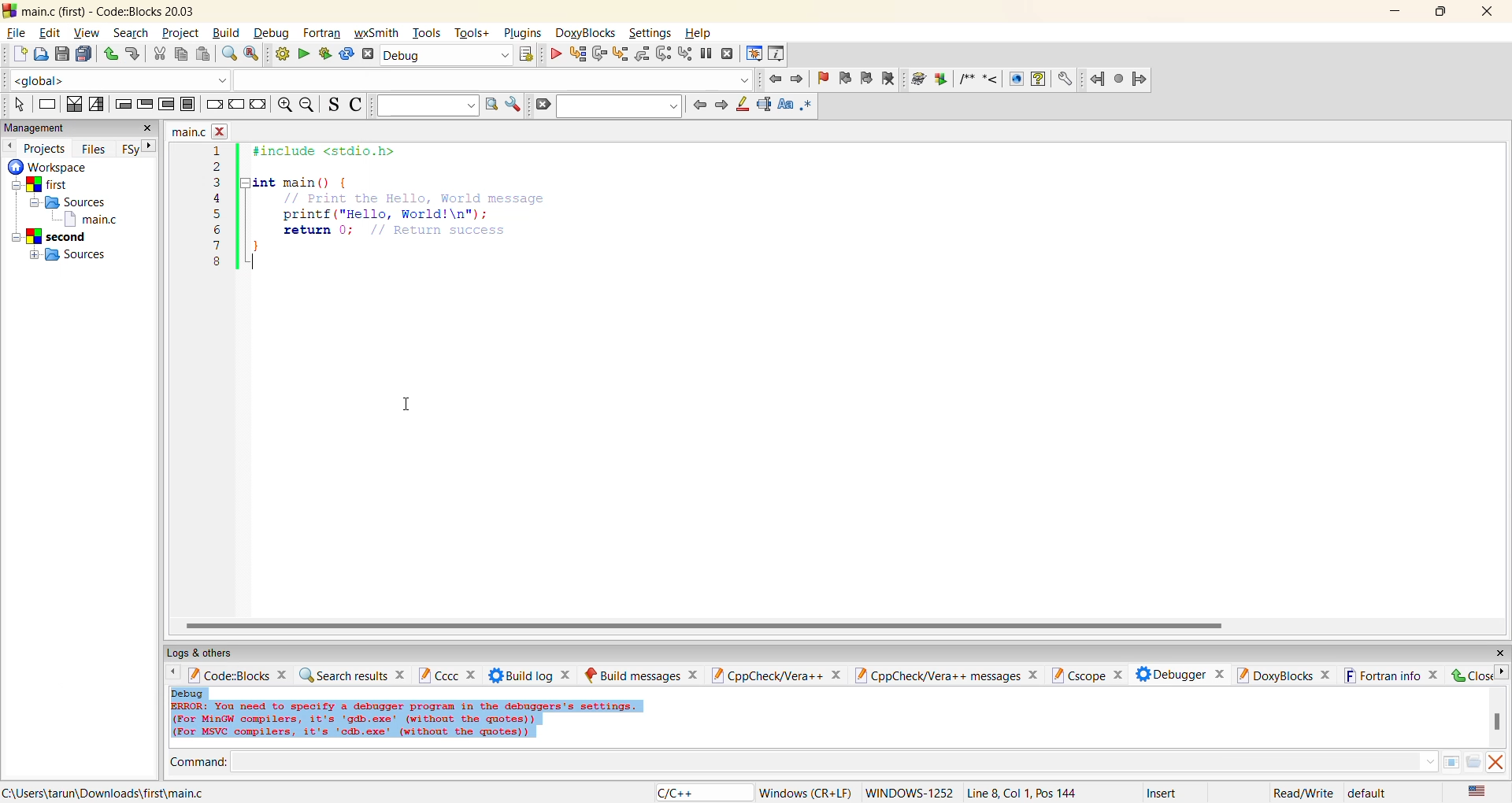  Describe the element at coordinates (588, 35) in the screenshot. I see `doxyblocks` at that location.